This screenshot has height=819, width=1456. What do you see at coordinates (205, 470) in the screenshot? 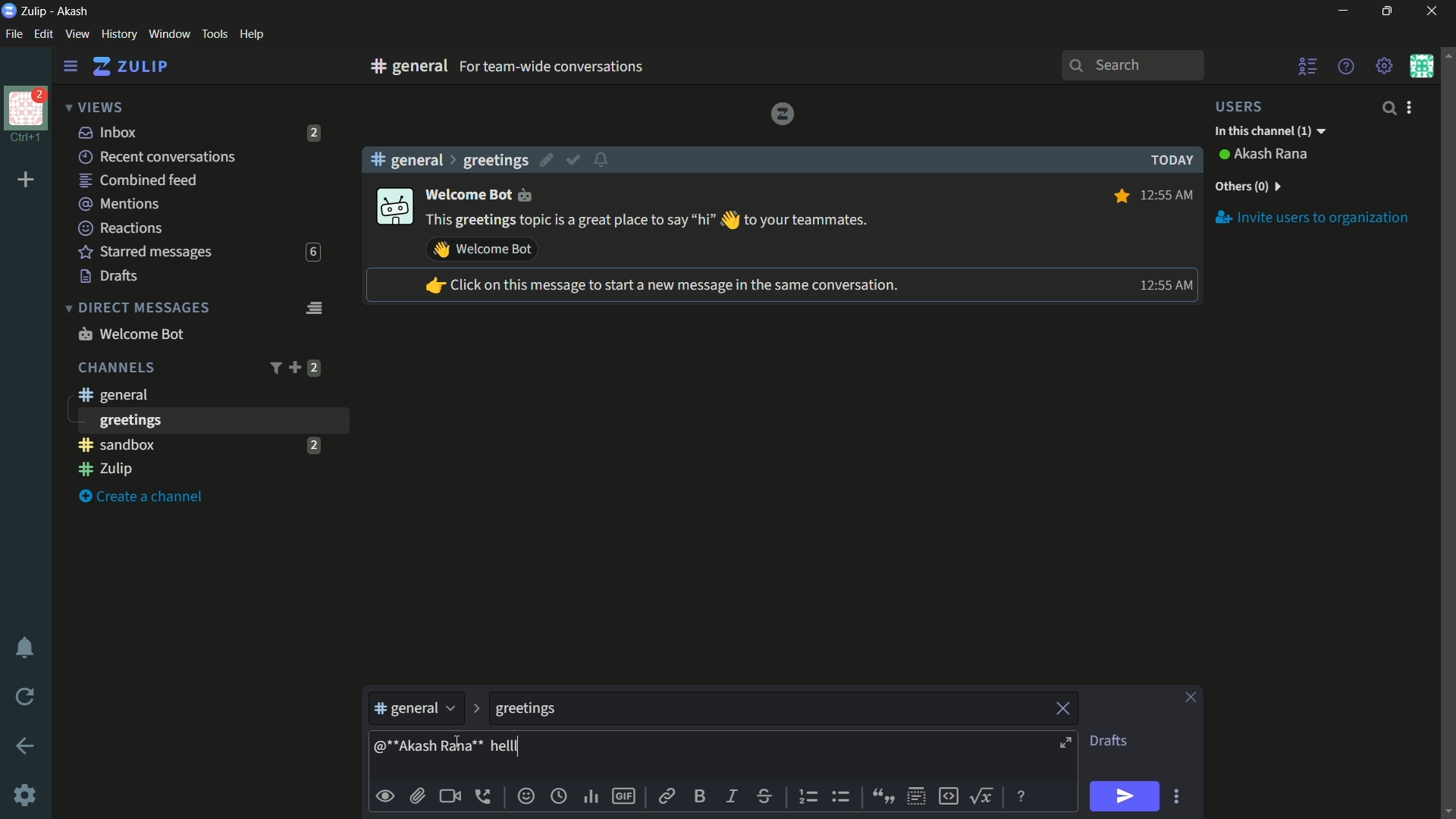
I see `zulip channel` at bounding box center [205, 470].